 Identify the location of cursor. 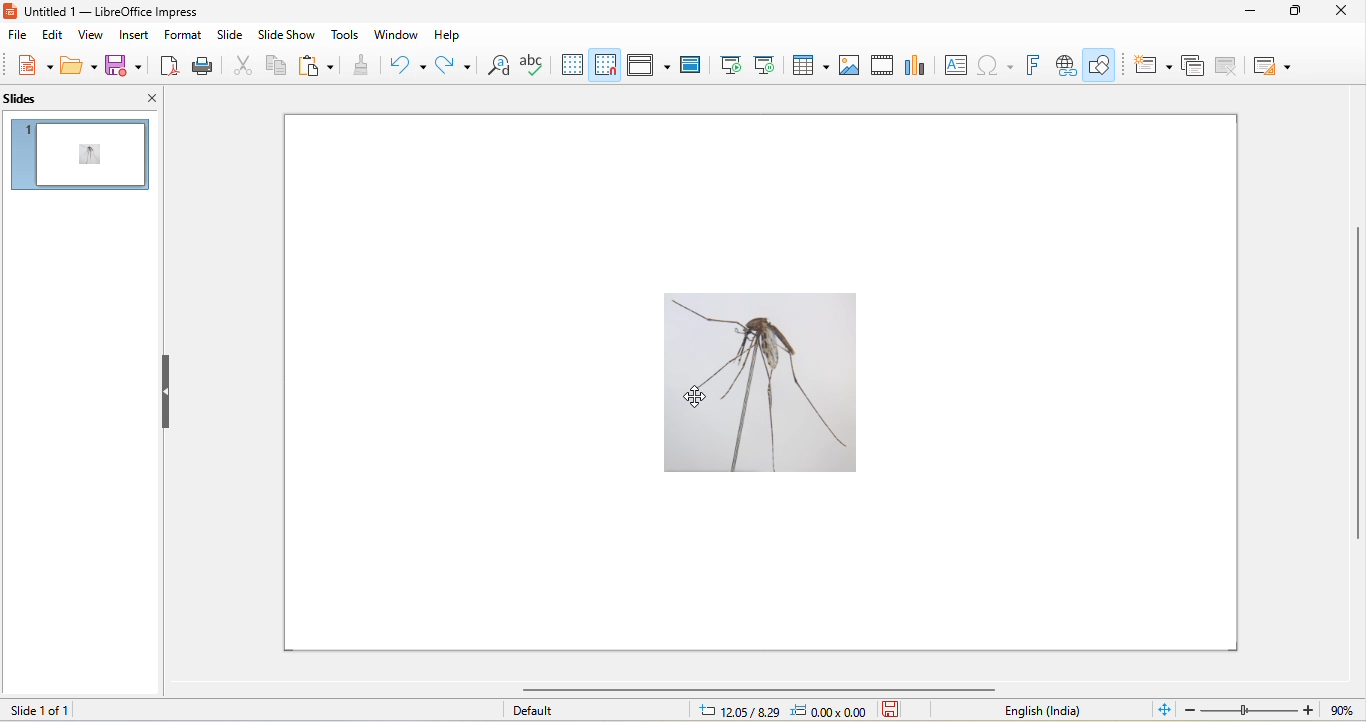
(700, 401).